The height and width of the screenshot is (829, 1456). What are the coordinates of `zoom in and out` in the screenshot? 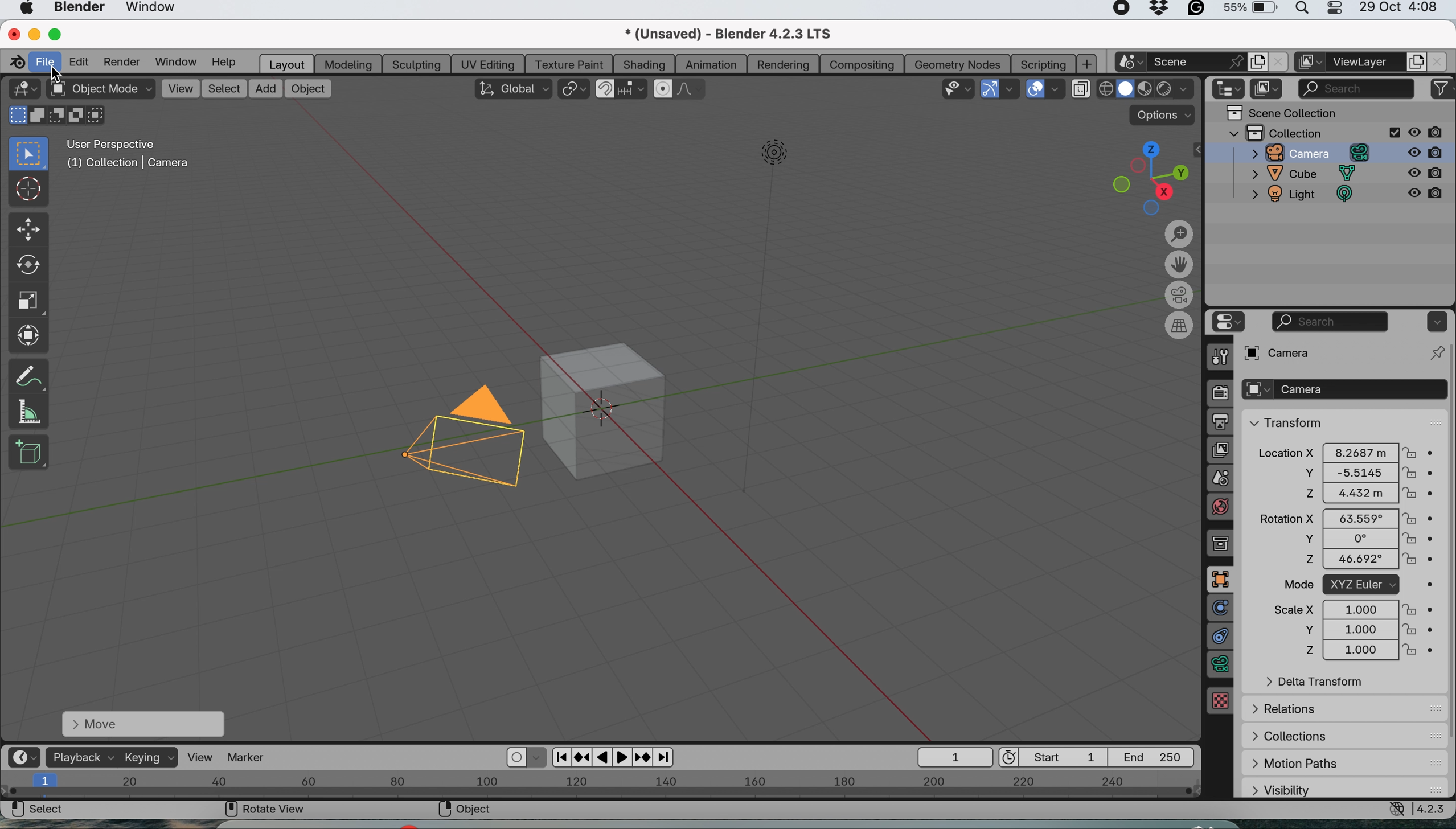 It's located at (1176, 233).